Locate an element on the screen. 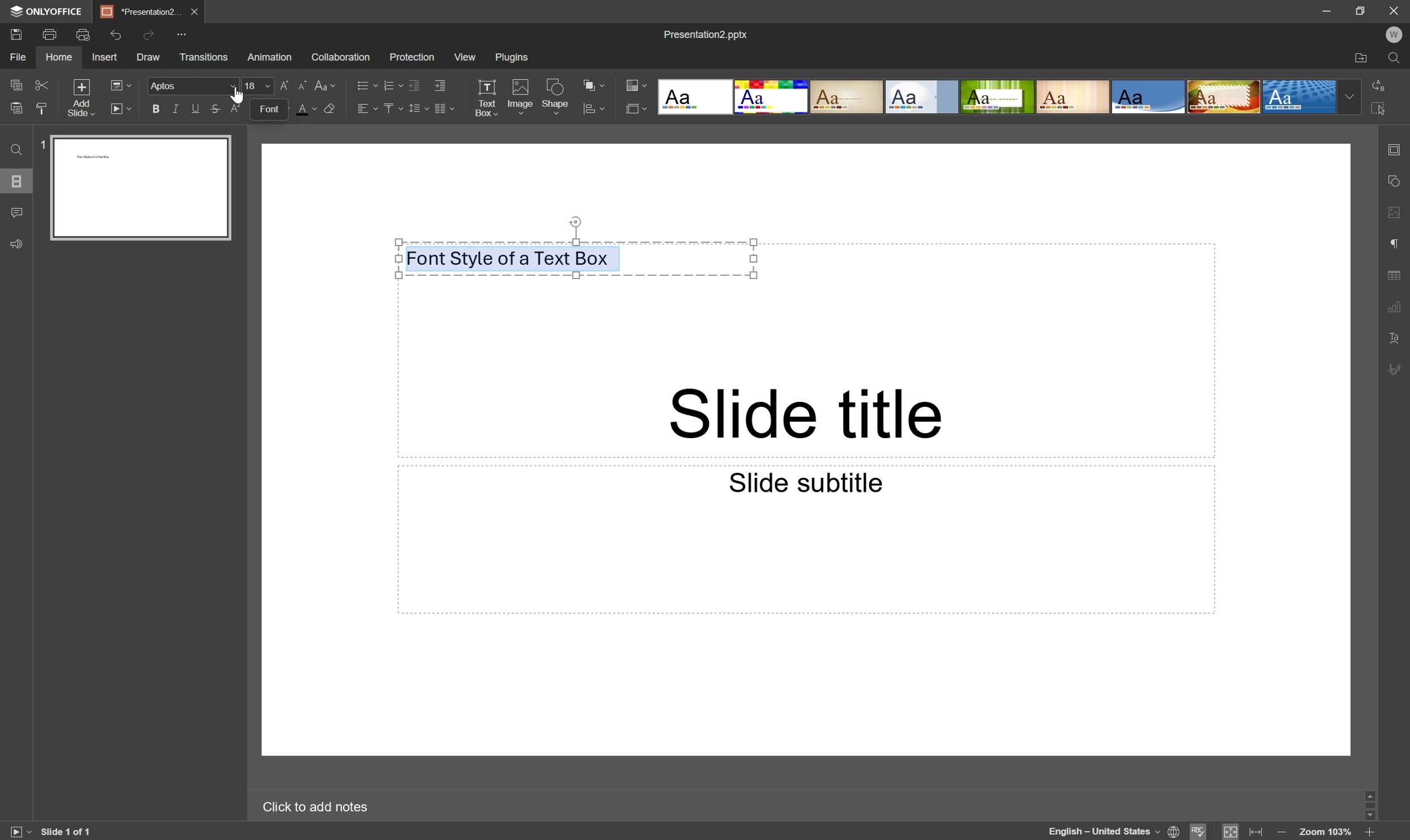 This screenshot has width=1410, height=840. Arrange shape is located at coordinates (593, 83).